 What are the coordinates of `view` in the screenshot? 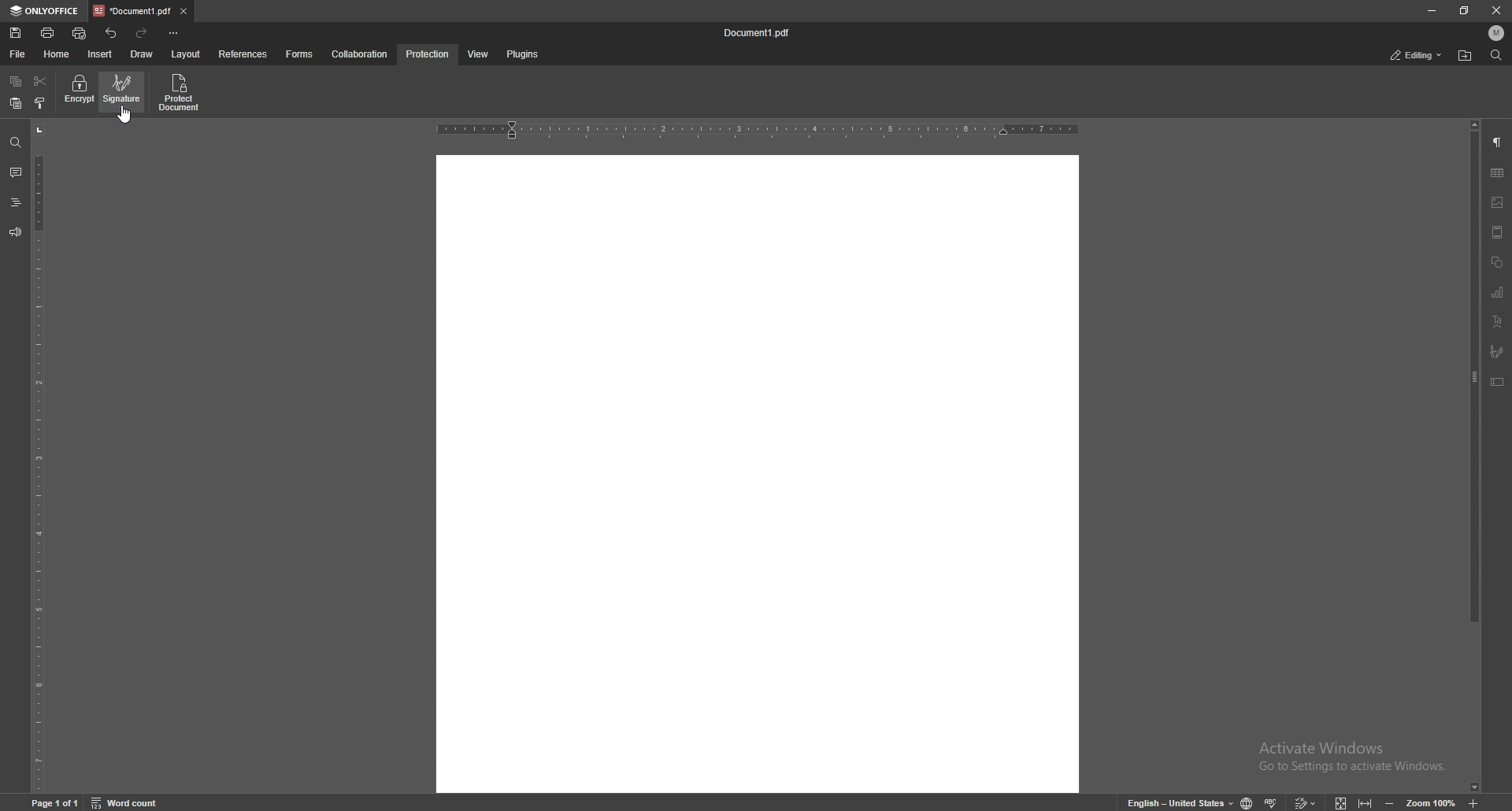 It's located at (475, 55).